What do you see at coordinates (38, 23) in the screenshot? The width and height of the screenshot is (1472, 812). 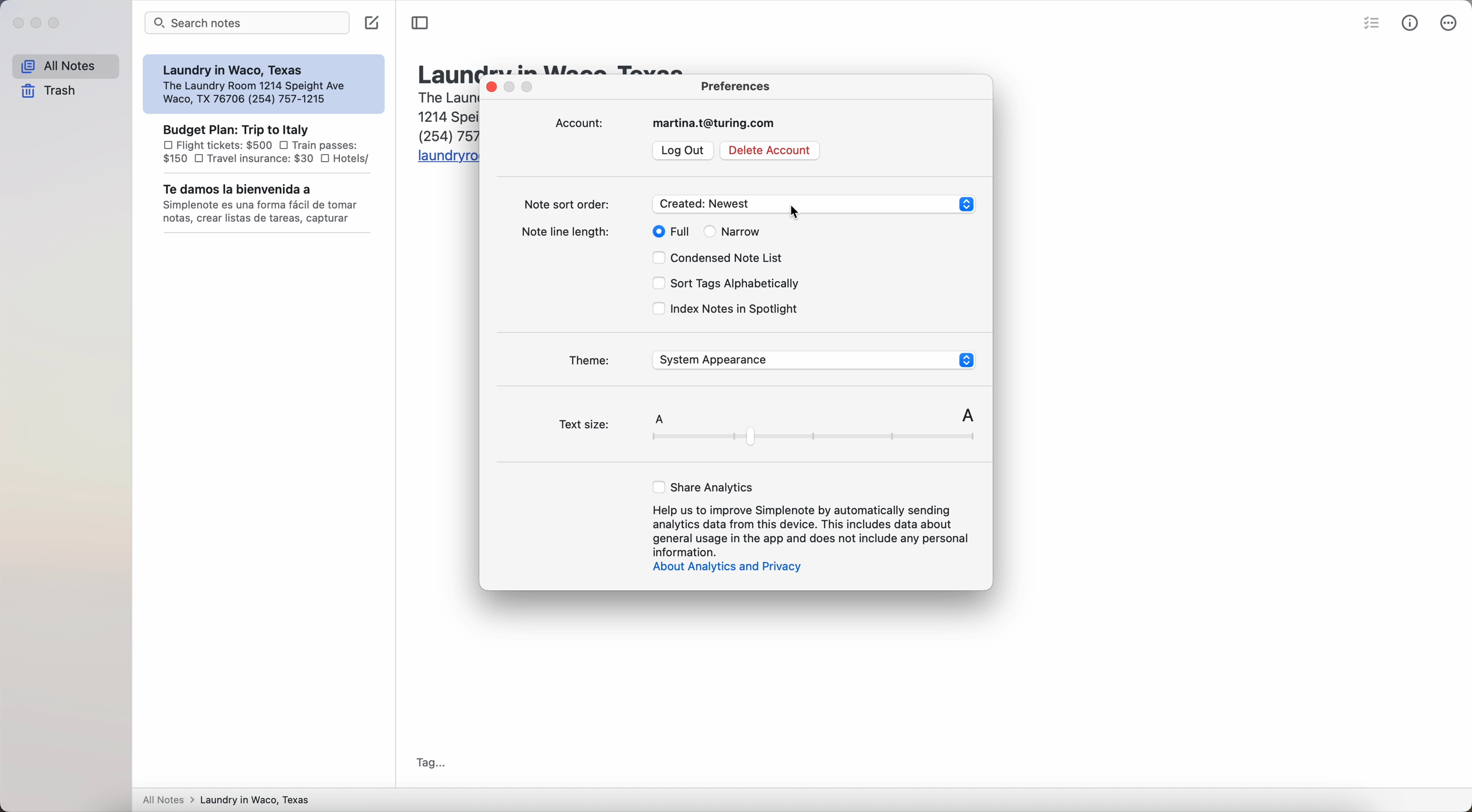 I see `minimize Simplenote` at bounding box center [38, 23].